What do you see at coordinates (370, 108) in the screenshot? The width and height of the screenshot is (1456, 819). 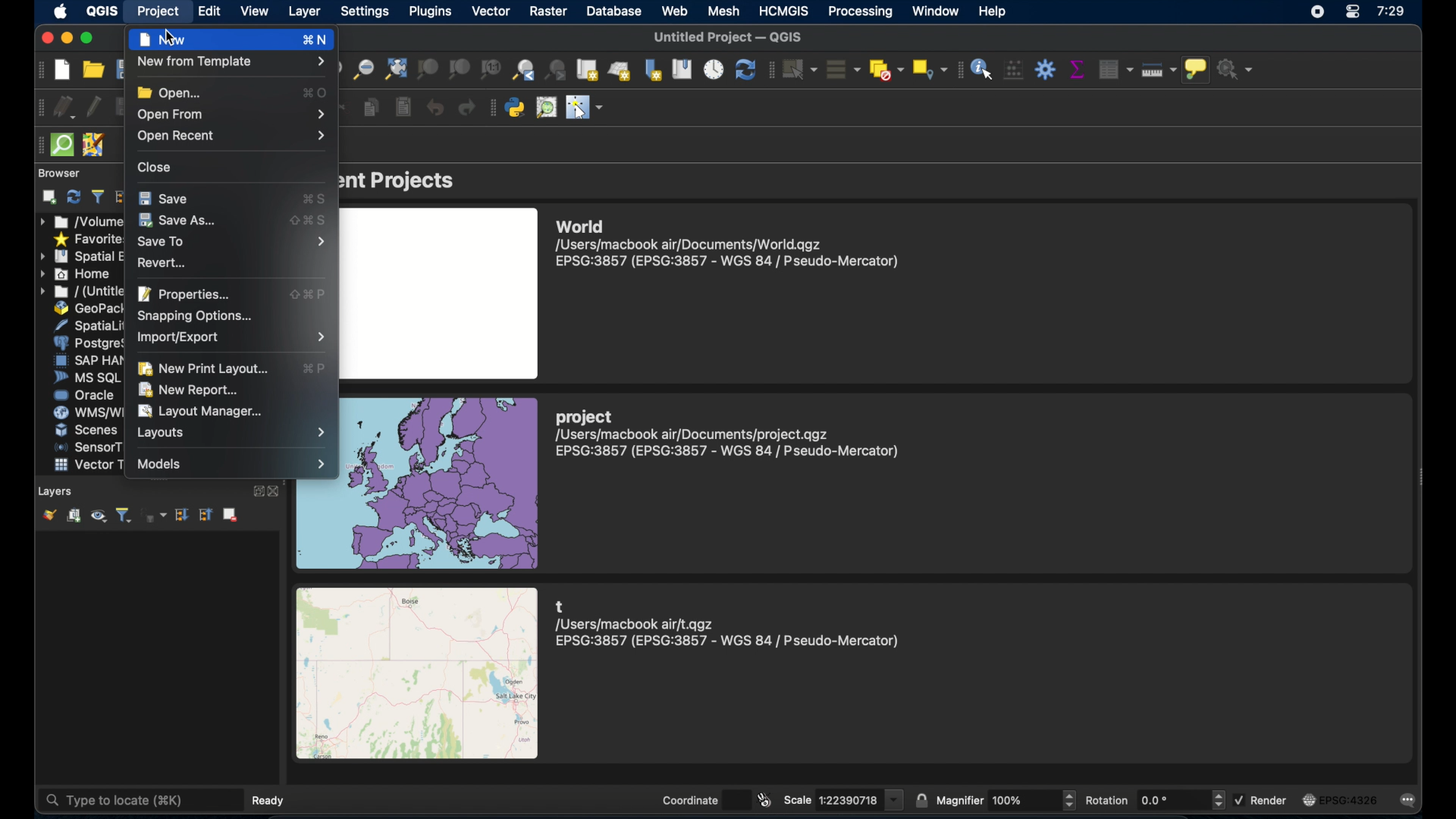 I see `copy features` at bounding box center [370, 108].